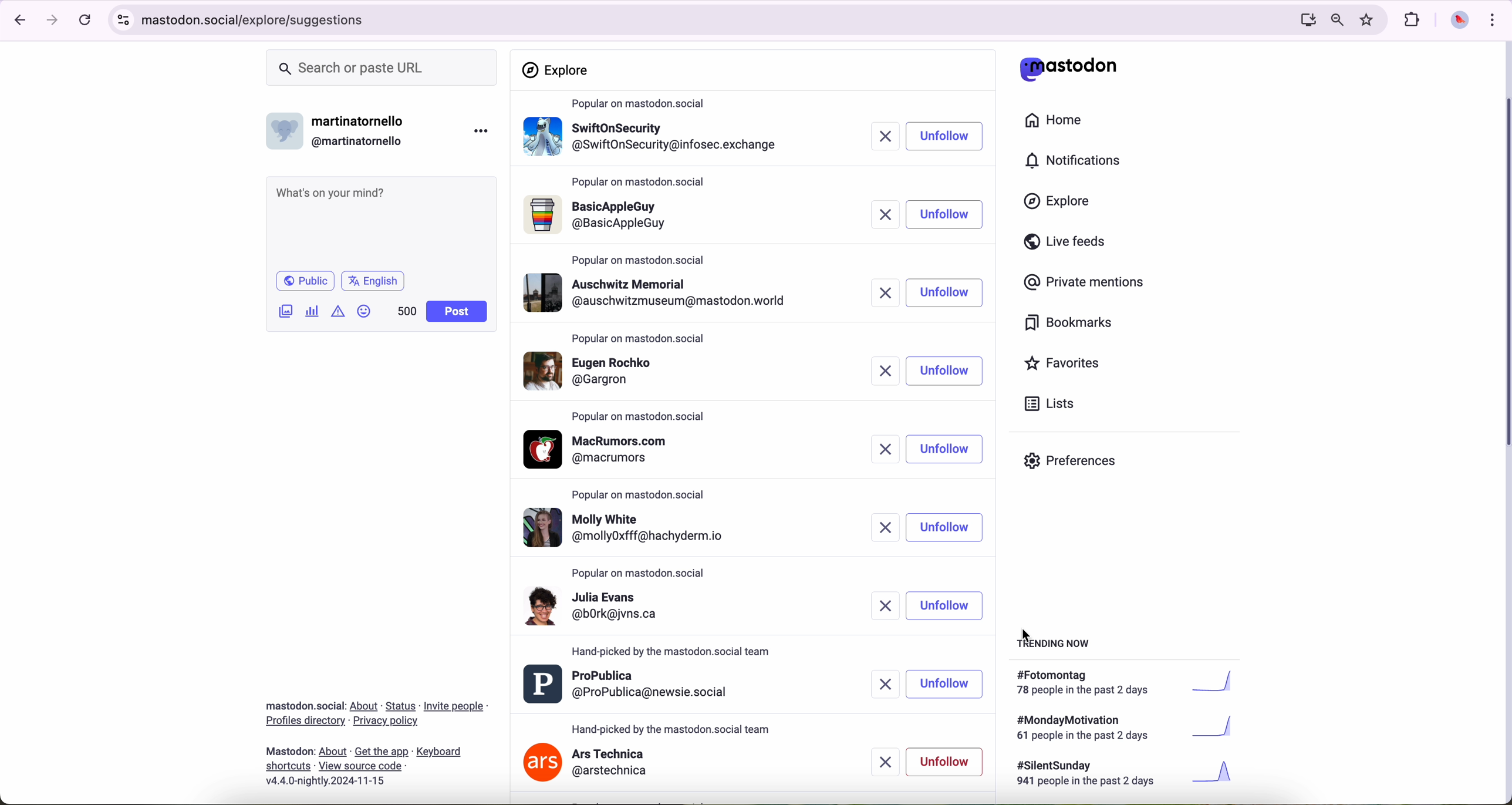 The width and height of the screenshot is (1512, 805). What do you see at coordinates (654, 218) in the screenshot?
I see `profile` at bounding box center [654, 218].